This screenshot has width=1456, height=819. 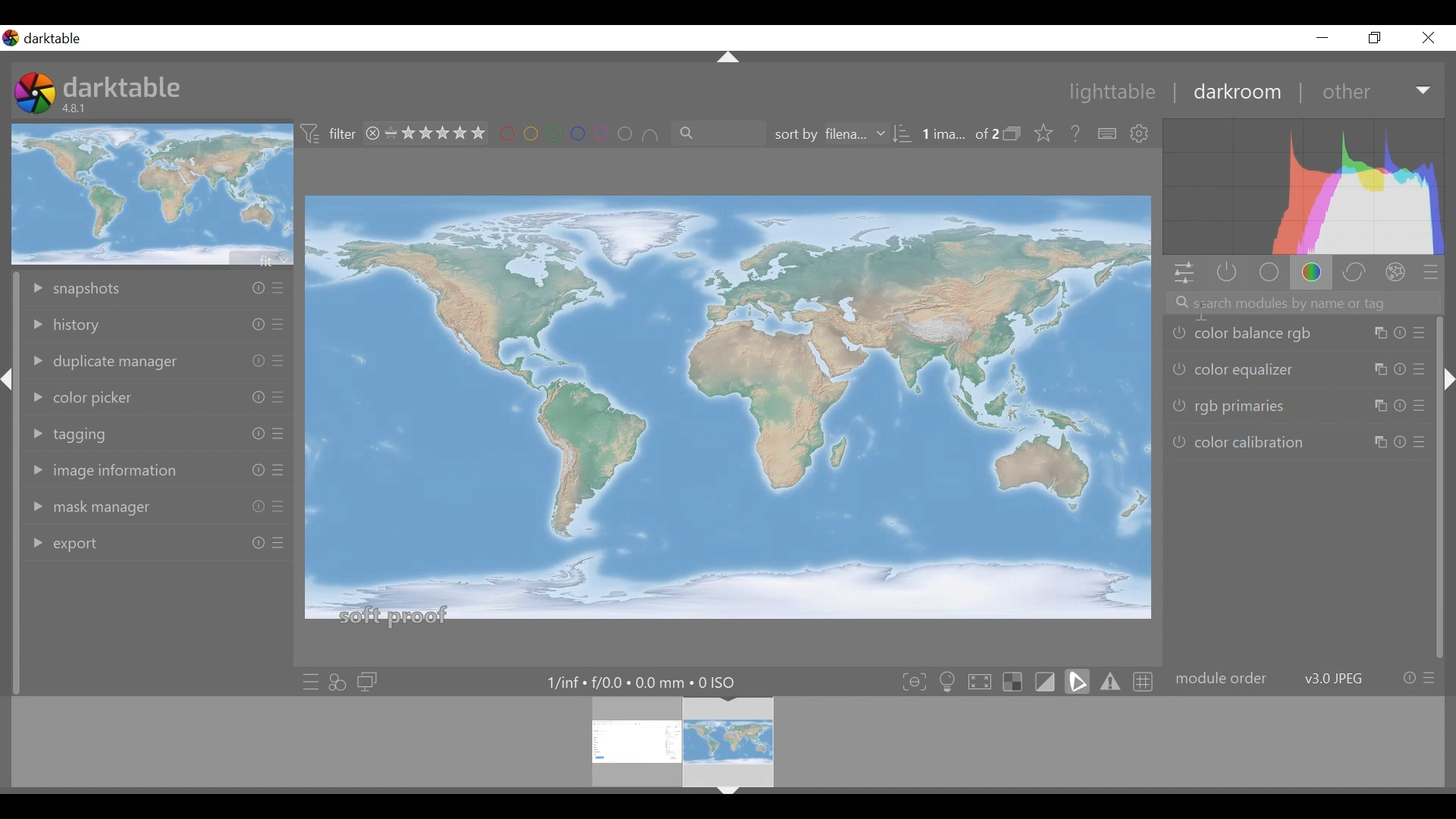 What do you see at coordinates (1429, 37) in the screenshot?
I see `Close` at bounding box center [1429, 37].